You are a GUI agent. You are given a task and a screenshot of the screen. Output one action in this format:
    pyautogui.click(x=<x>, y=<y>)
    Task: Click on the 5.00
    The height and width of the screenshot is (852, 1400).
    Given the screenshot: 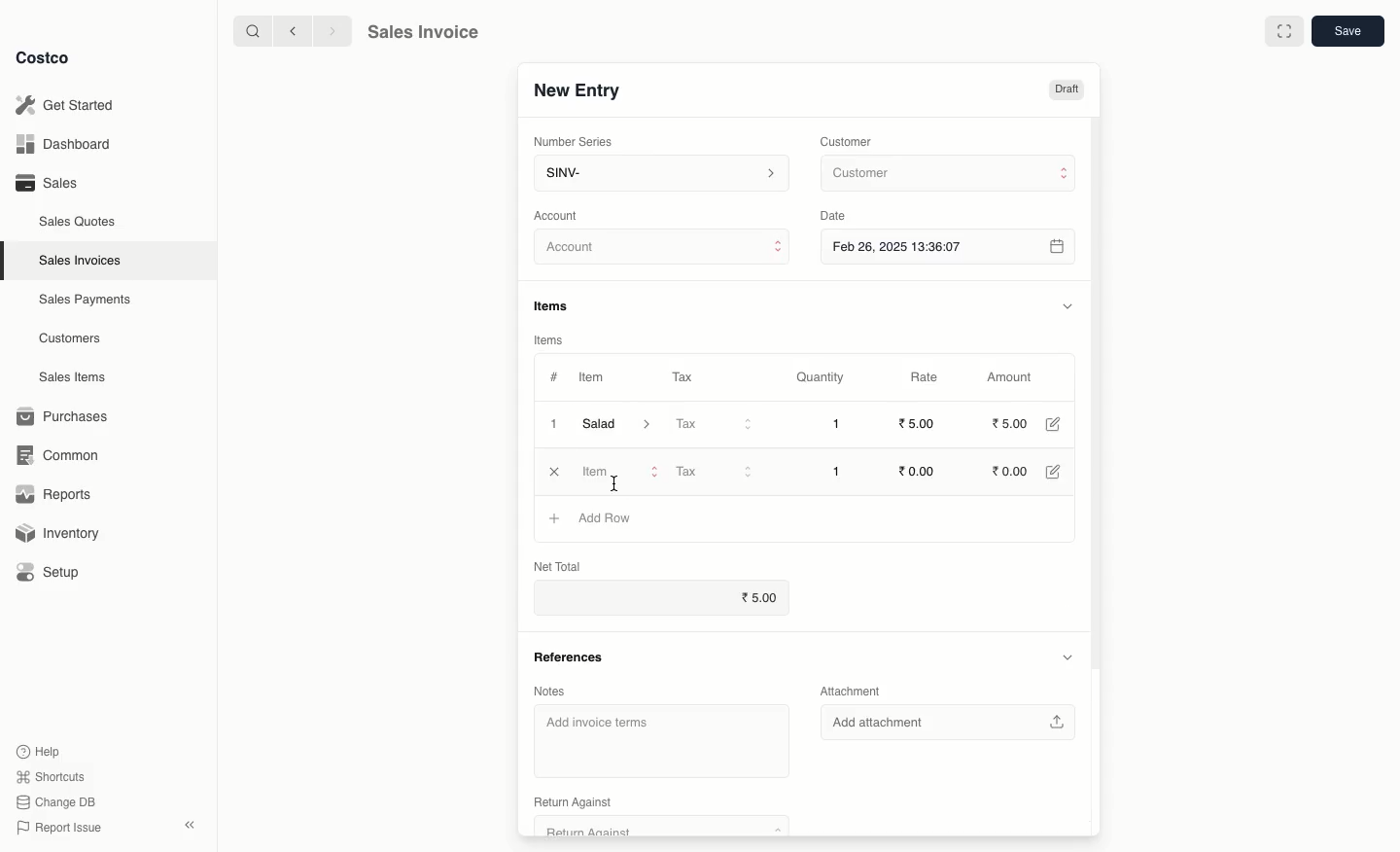 What is the action you would take?
    pyautogui.click(x=759, y=595)
    